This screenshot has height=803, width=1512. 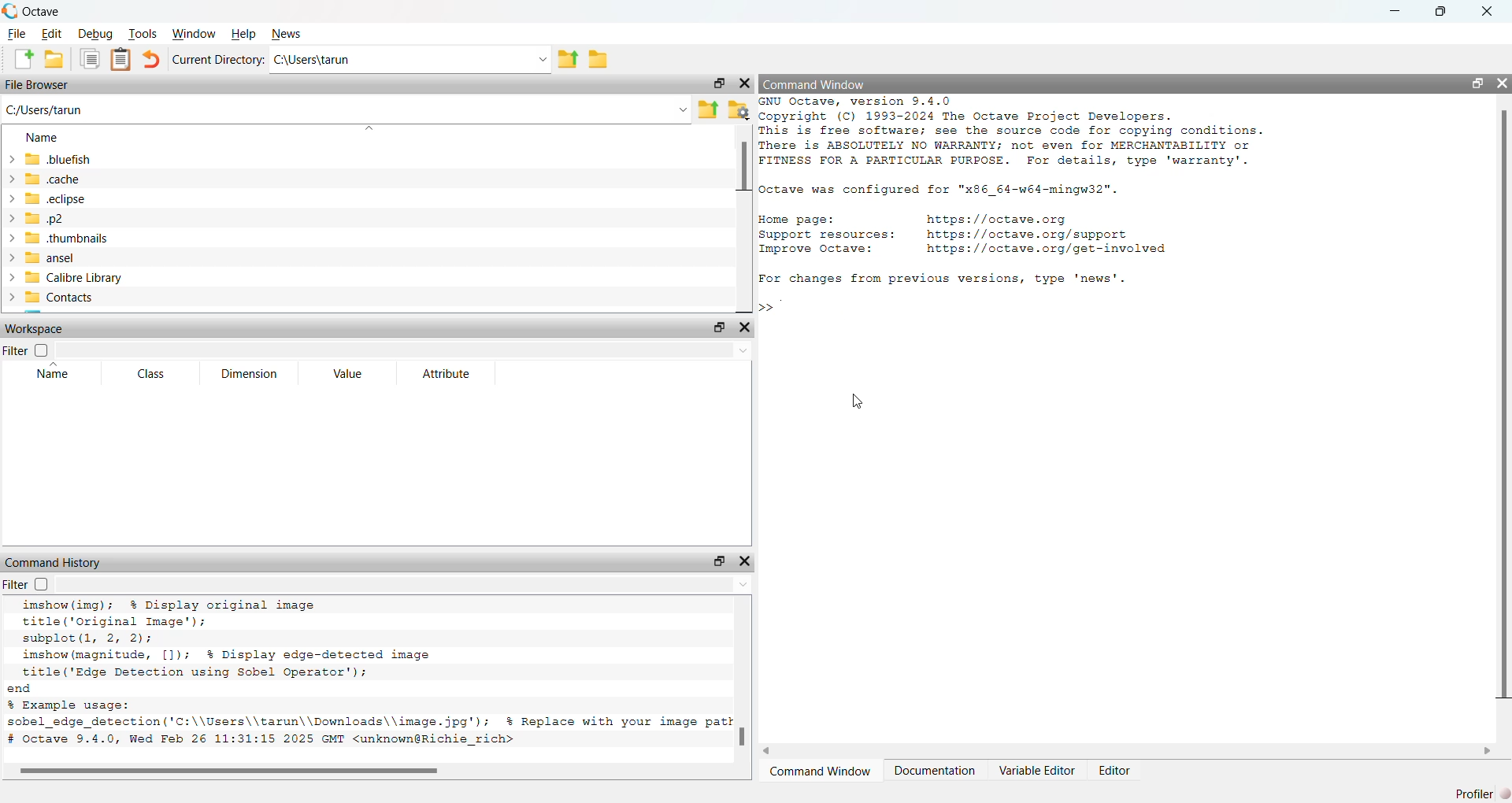 What do you see at coordinates (54, 59) in the screenshot?
I see `open folder` at bounding box center [54, 59].